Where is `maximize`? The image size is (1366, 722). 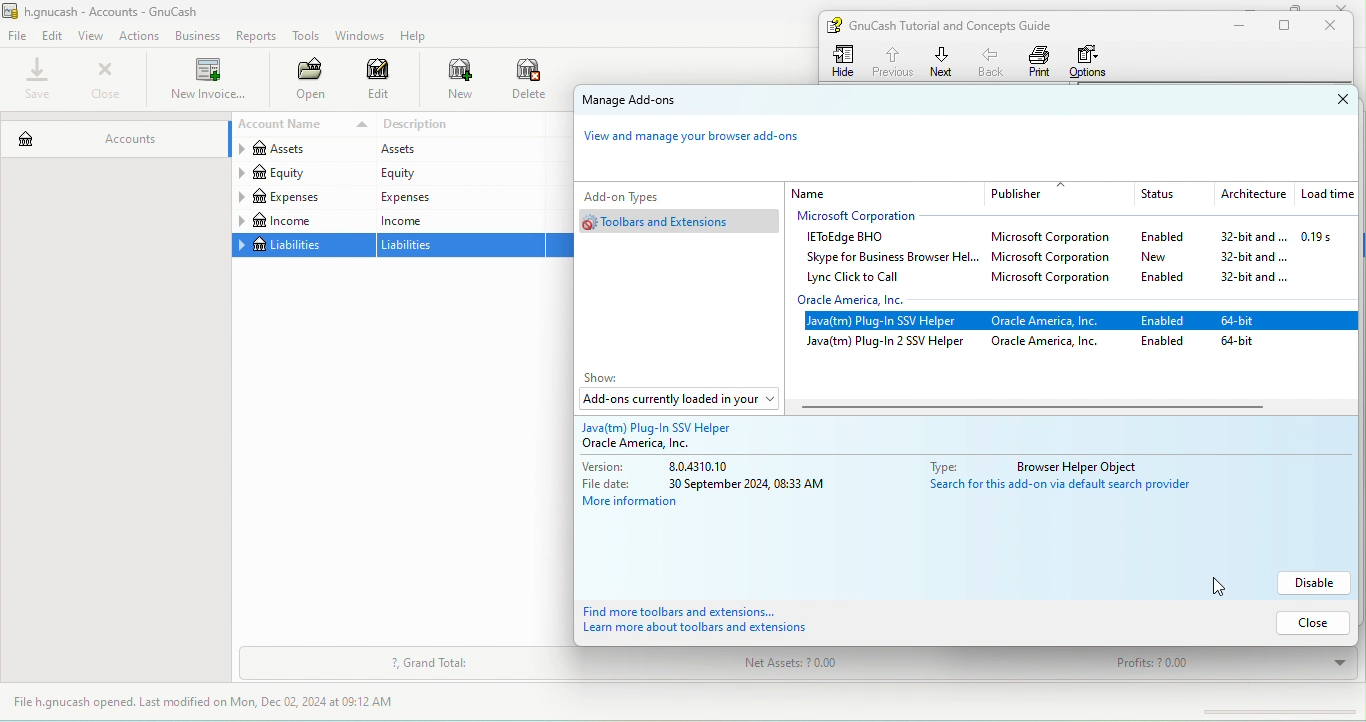
maximize is located at coordinates (1292, 7).